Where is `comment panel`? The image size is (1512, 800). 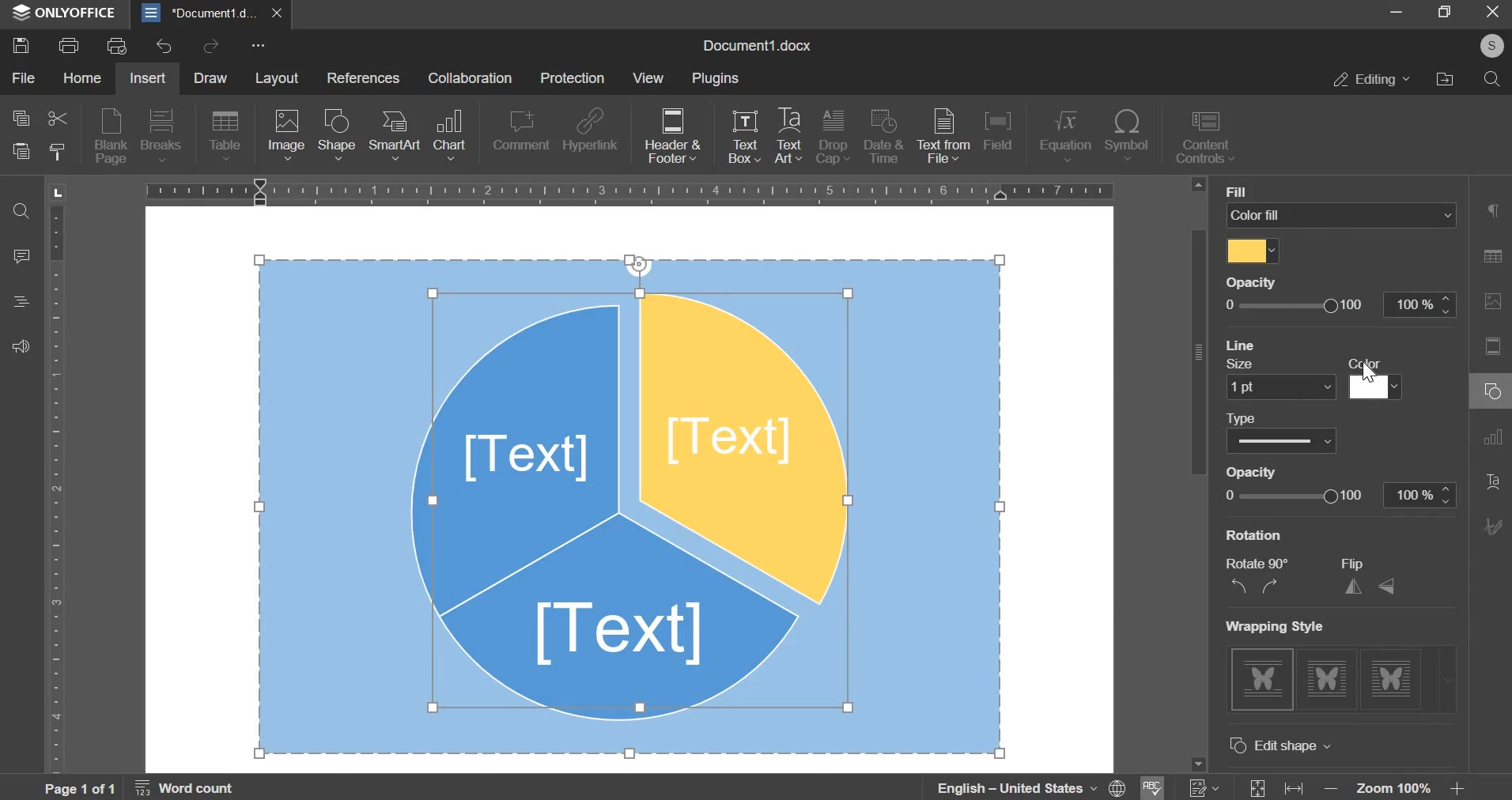
comment panel is located at coordinates (23, 258).